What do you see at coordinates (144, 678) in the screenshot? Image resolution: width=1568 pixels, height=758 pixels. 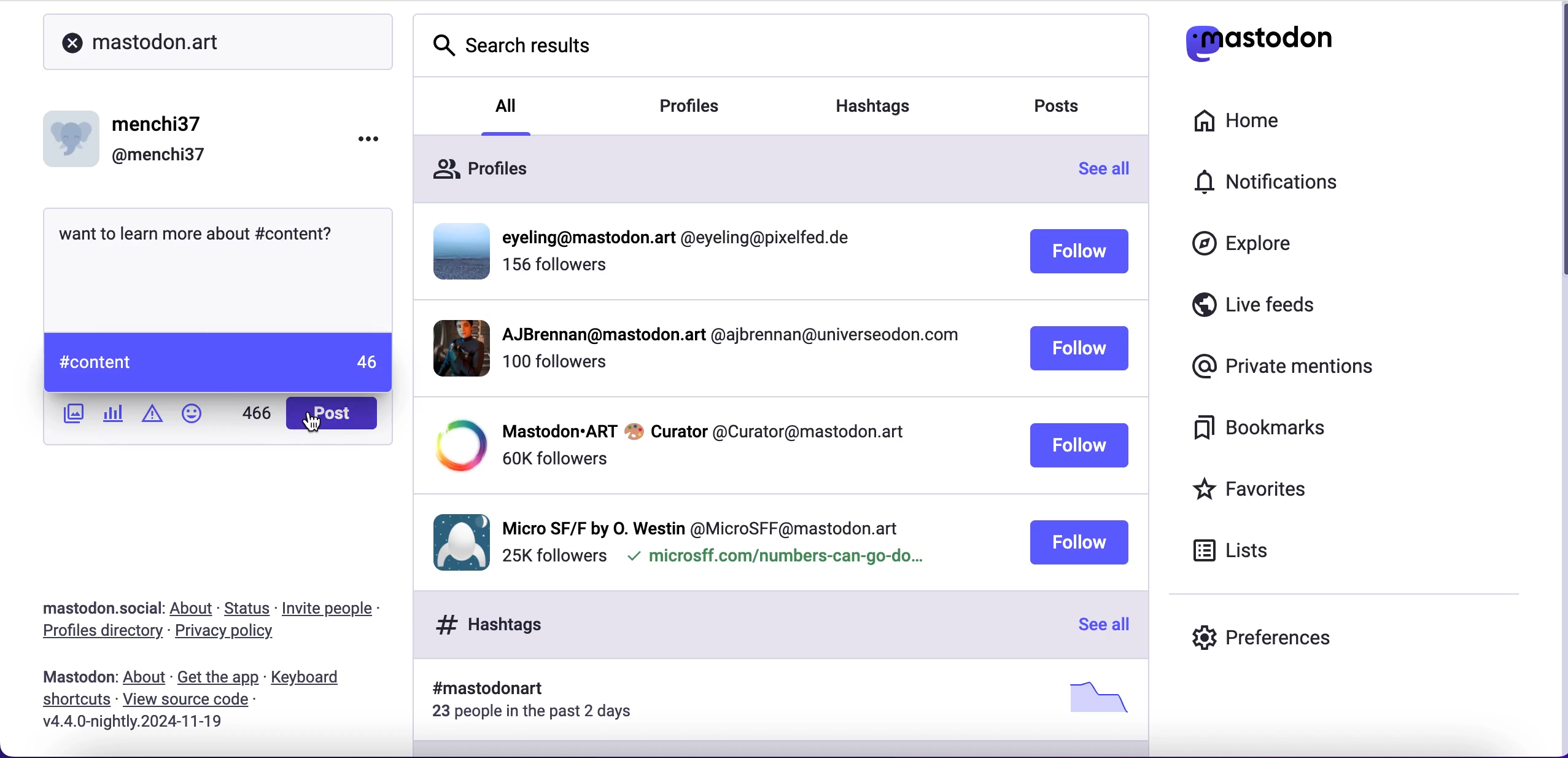 I see `about` at bounding box center [144, 678].